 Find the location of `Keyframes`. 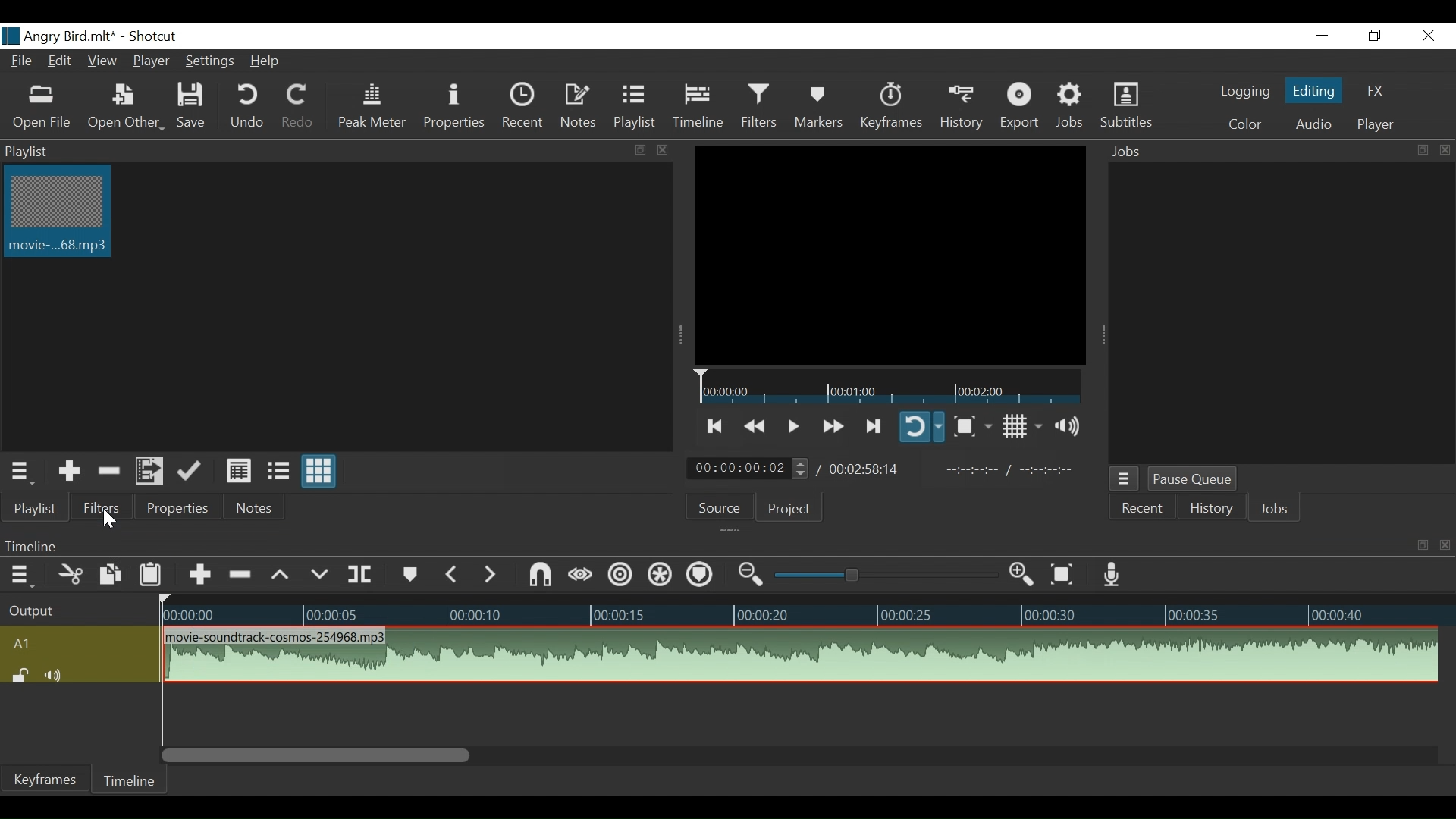

Keyframes is located at coordinates (46, 779).